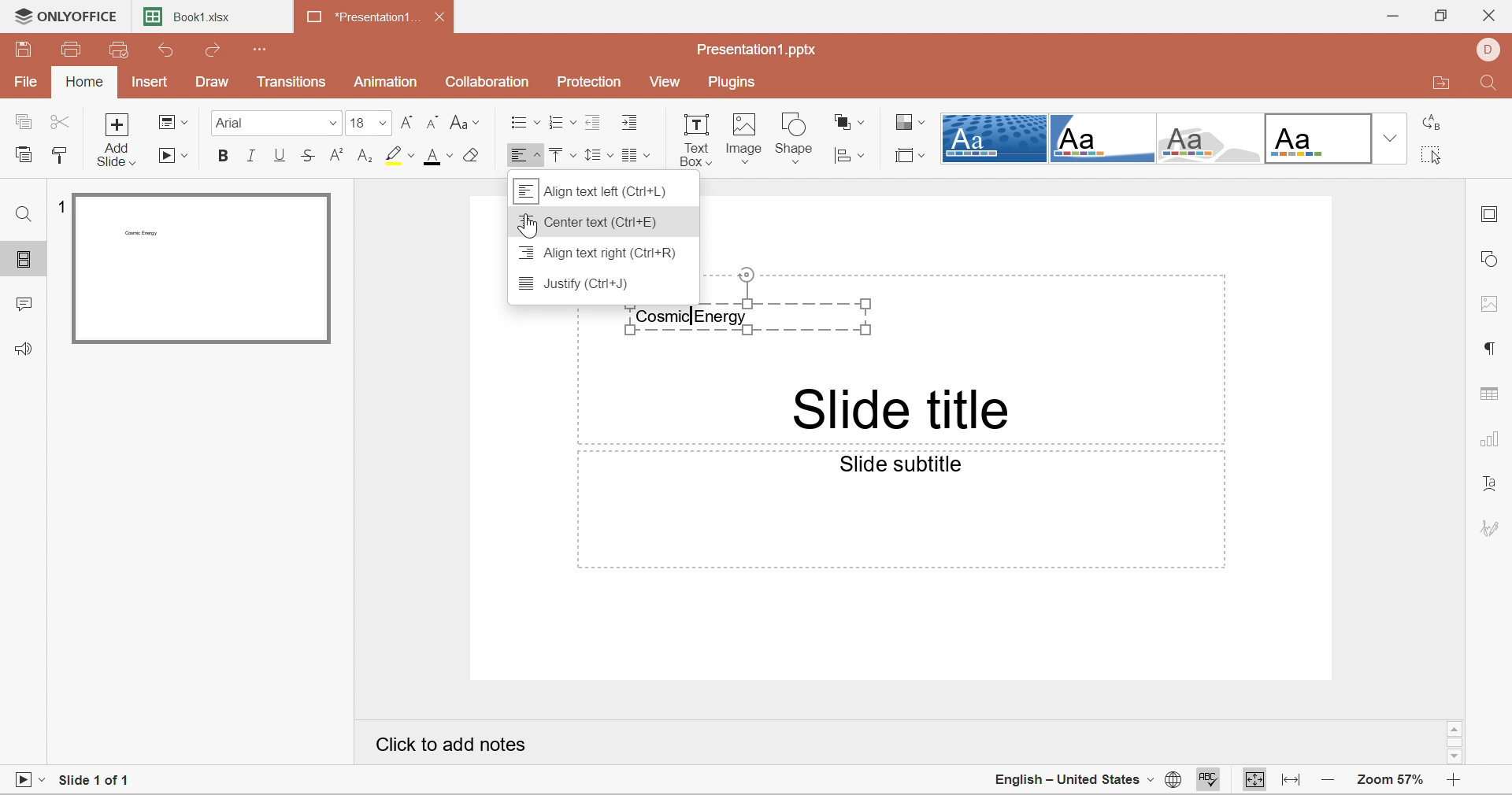 The width and height of the screenshot is (1512, 795). What do you see at coordinates (23, 307) in the screenshot?
I see `Comments` at bounding box center [23, 307].